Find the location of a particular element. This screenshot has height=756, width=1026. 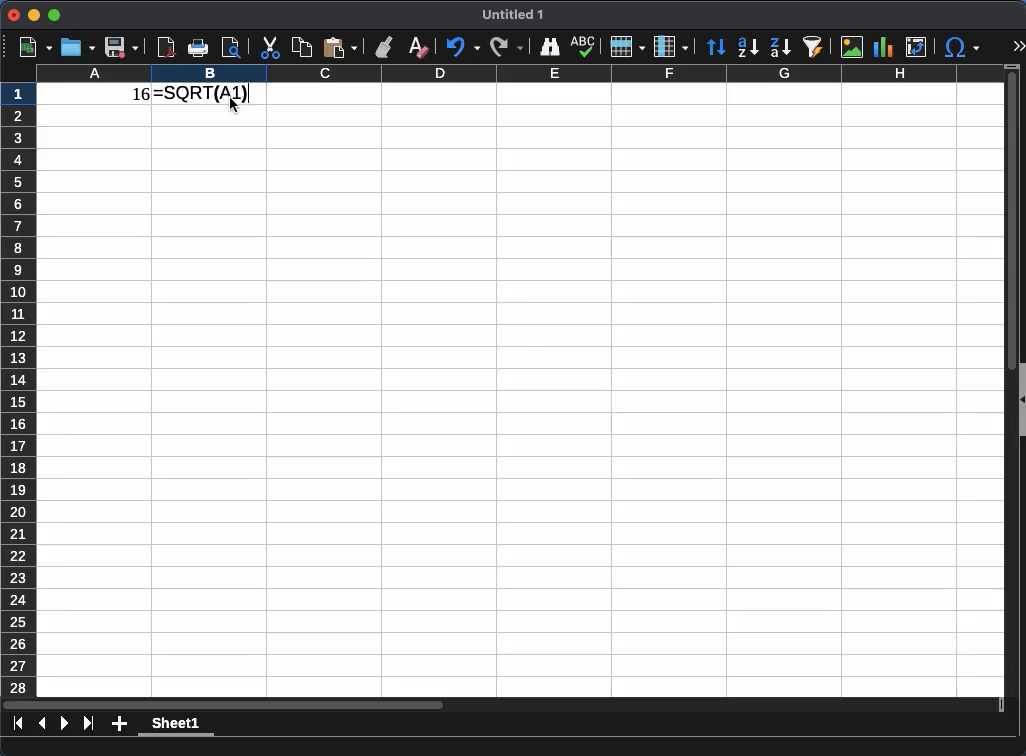

autofilter is located at coordinates (814, 47).